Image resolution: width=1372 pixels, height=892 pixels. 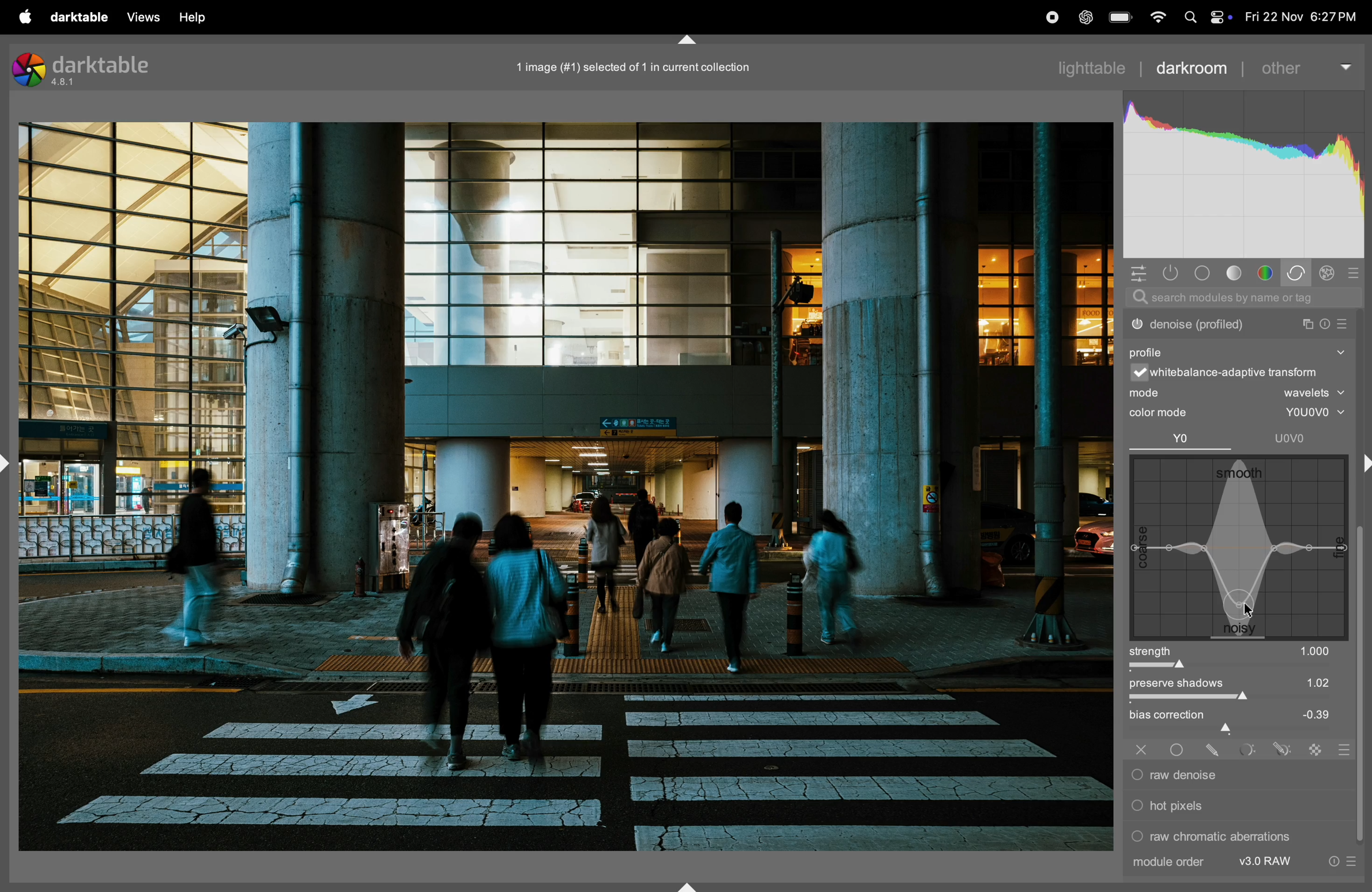 What do you see at coordinates (1087, 17) in the screenshot?
I see `chatgpt` at bounding box center [1087, 17].